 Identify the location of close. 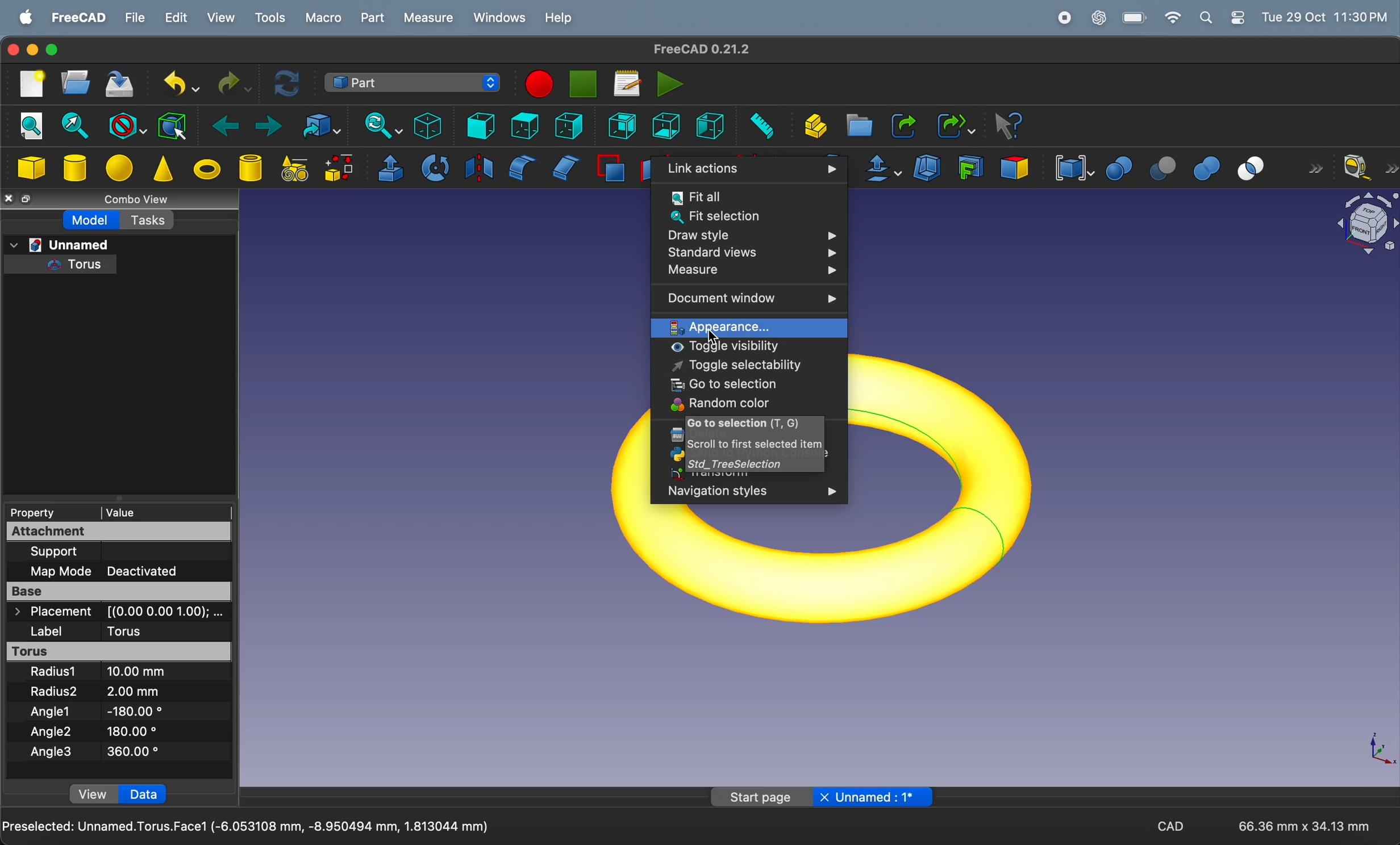
(9, 200).